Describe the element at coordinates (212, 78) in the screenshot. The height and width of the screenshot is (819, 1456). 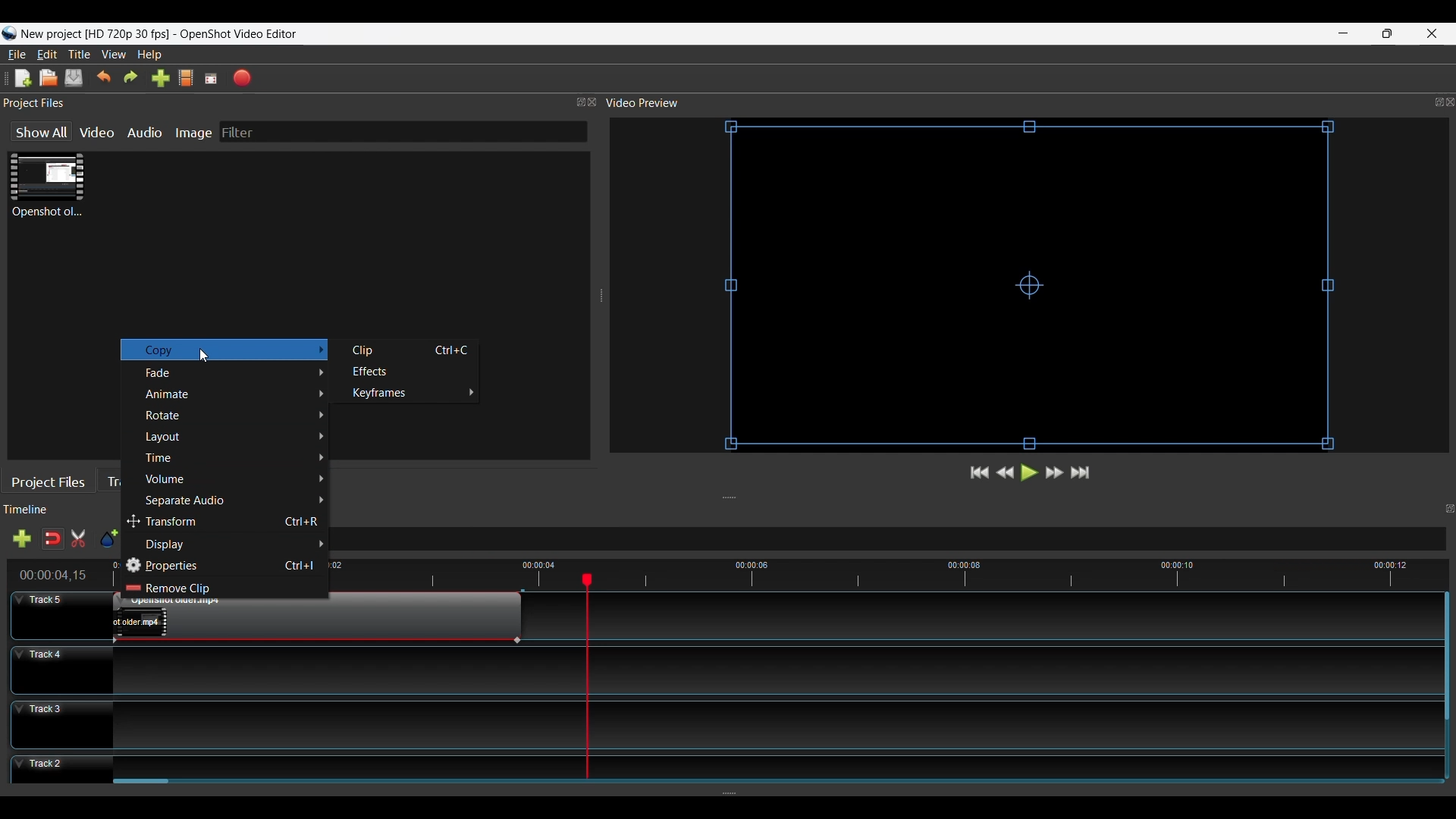
I see `Fullscreen` at that location.